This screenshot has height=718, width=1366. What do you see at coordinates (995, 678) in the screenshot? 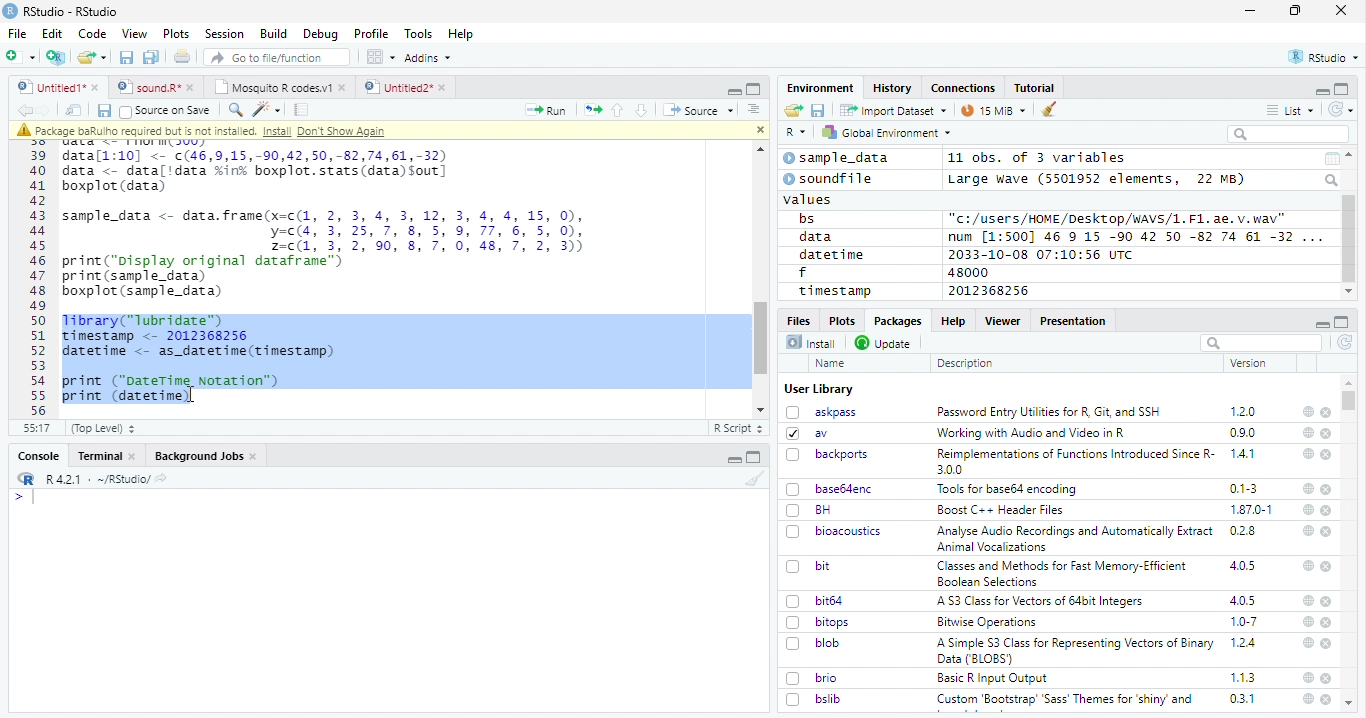
I see `Basic R Input Output` at bounding box center [995, 678].